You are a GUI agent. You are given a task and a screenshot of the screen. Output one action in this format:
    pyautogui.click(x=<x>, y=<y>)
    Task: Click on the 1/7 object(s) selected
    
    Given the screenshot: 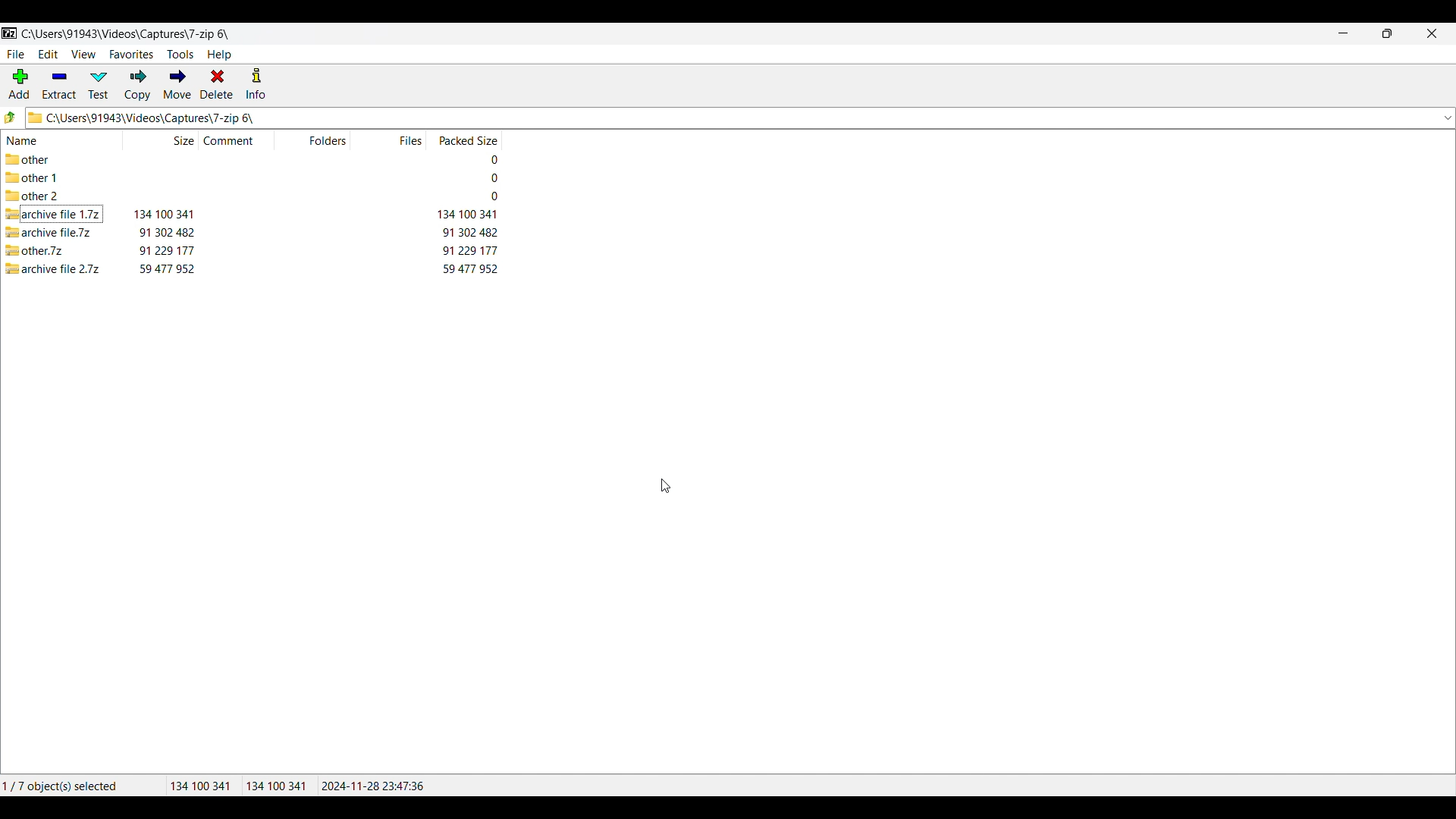 What is the action you would take?
    pyautogui.click(x=71, y=783)
    